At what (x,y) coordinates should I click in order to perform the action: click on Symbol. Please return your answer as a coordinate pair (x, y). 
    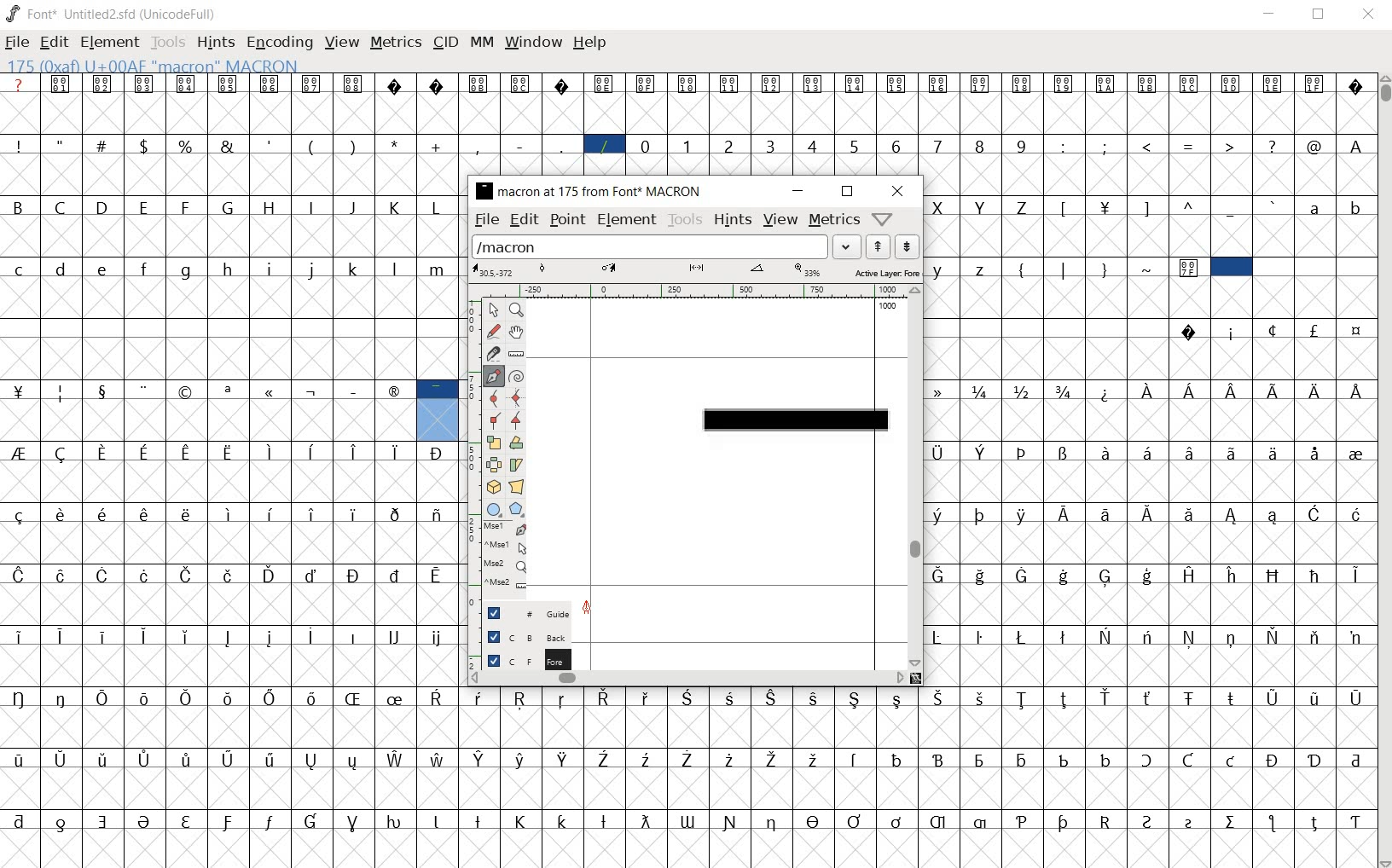
    Looking at the image, I should click on (1065, 635).